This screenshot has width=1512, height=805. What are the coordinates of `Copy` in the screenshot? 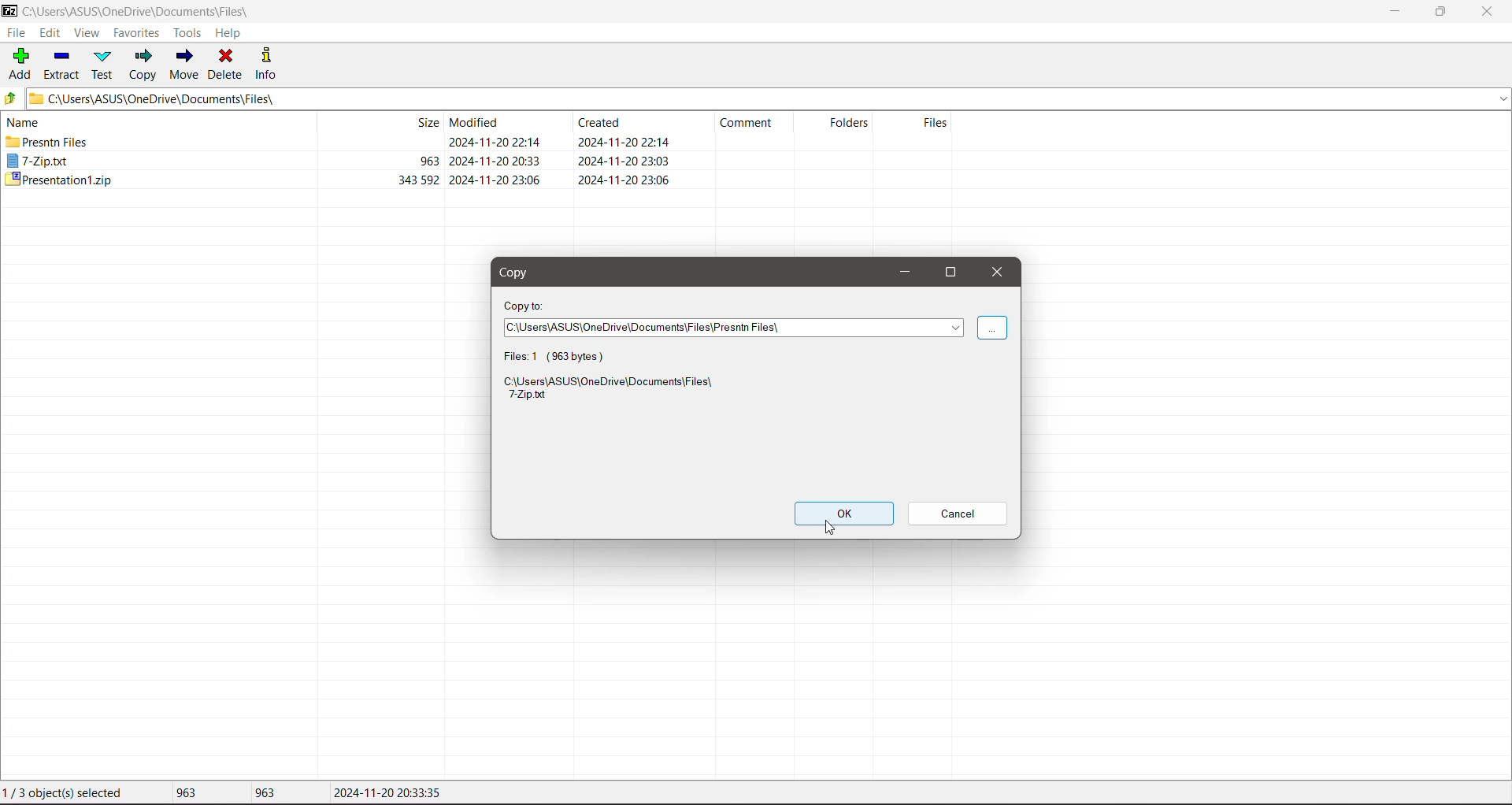 It's located at (521, 274).